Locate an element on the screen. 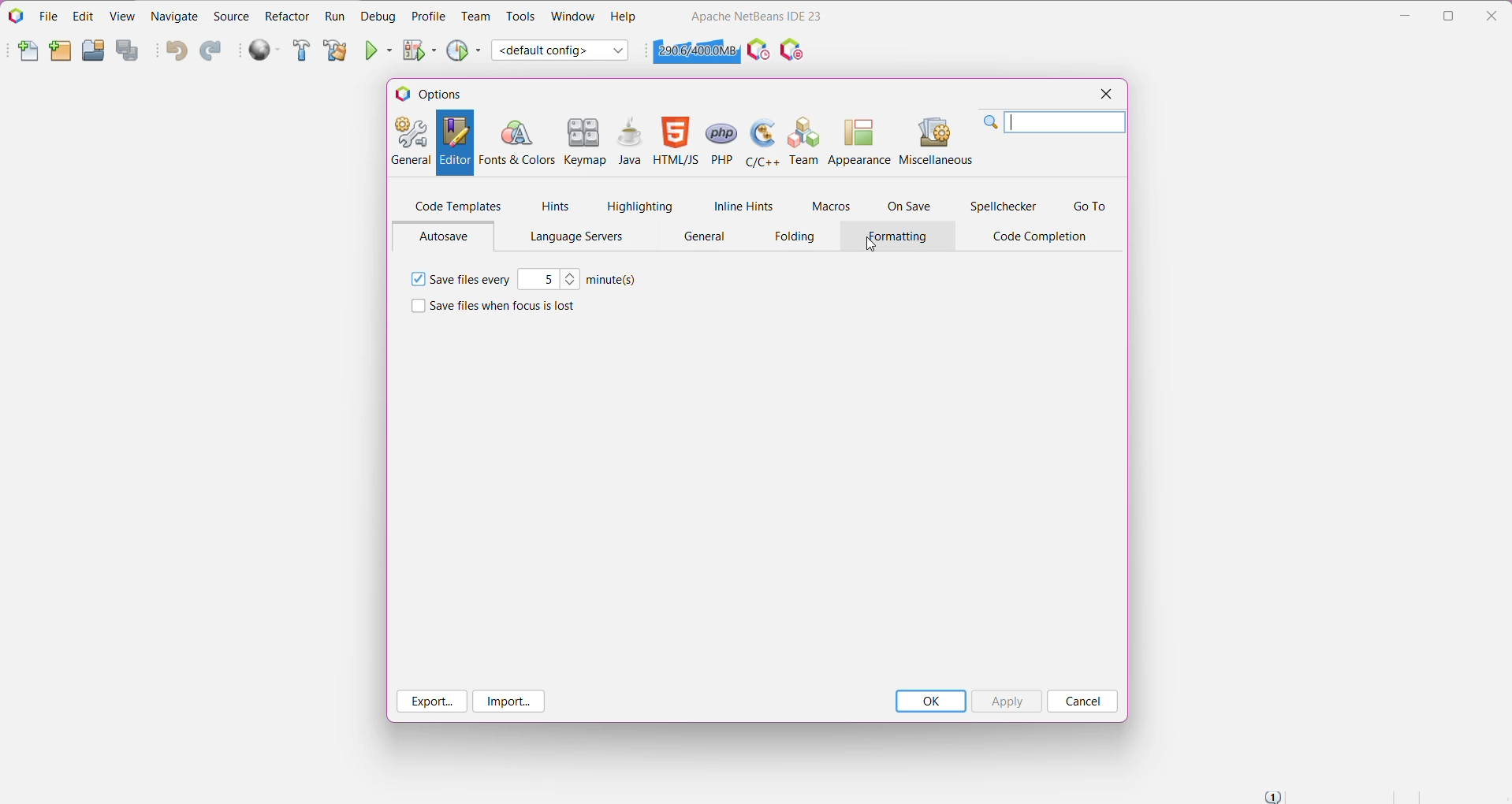 The width and height of the screenshot is (1512, 804). Inline Hints is located at coordinates (741, 206).